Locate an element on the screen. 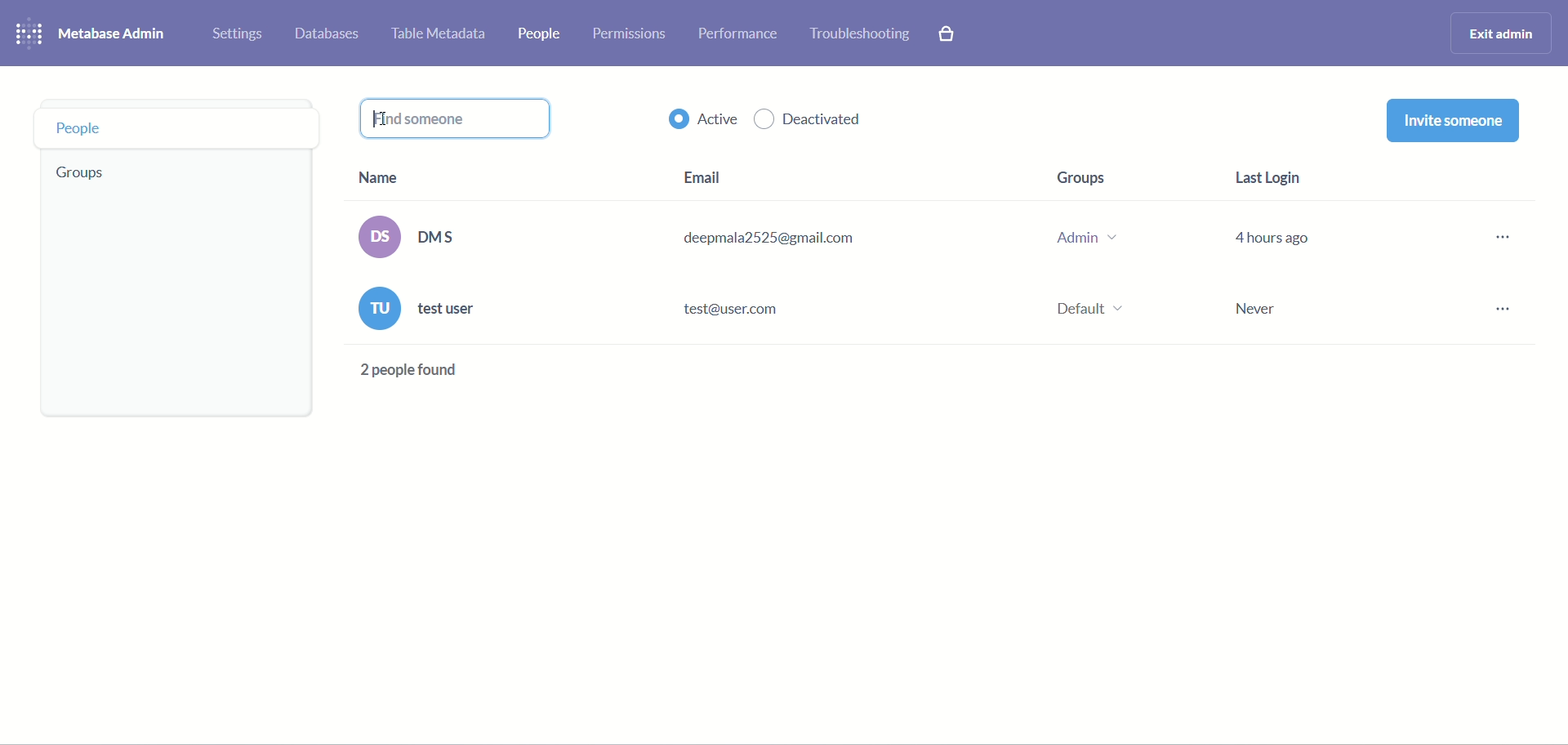 The width and height of the screenshot is (1568, 745). options is located at coordinates (1505, 274).